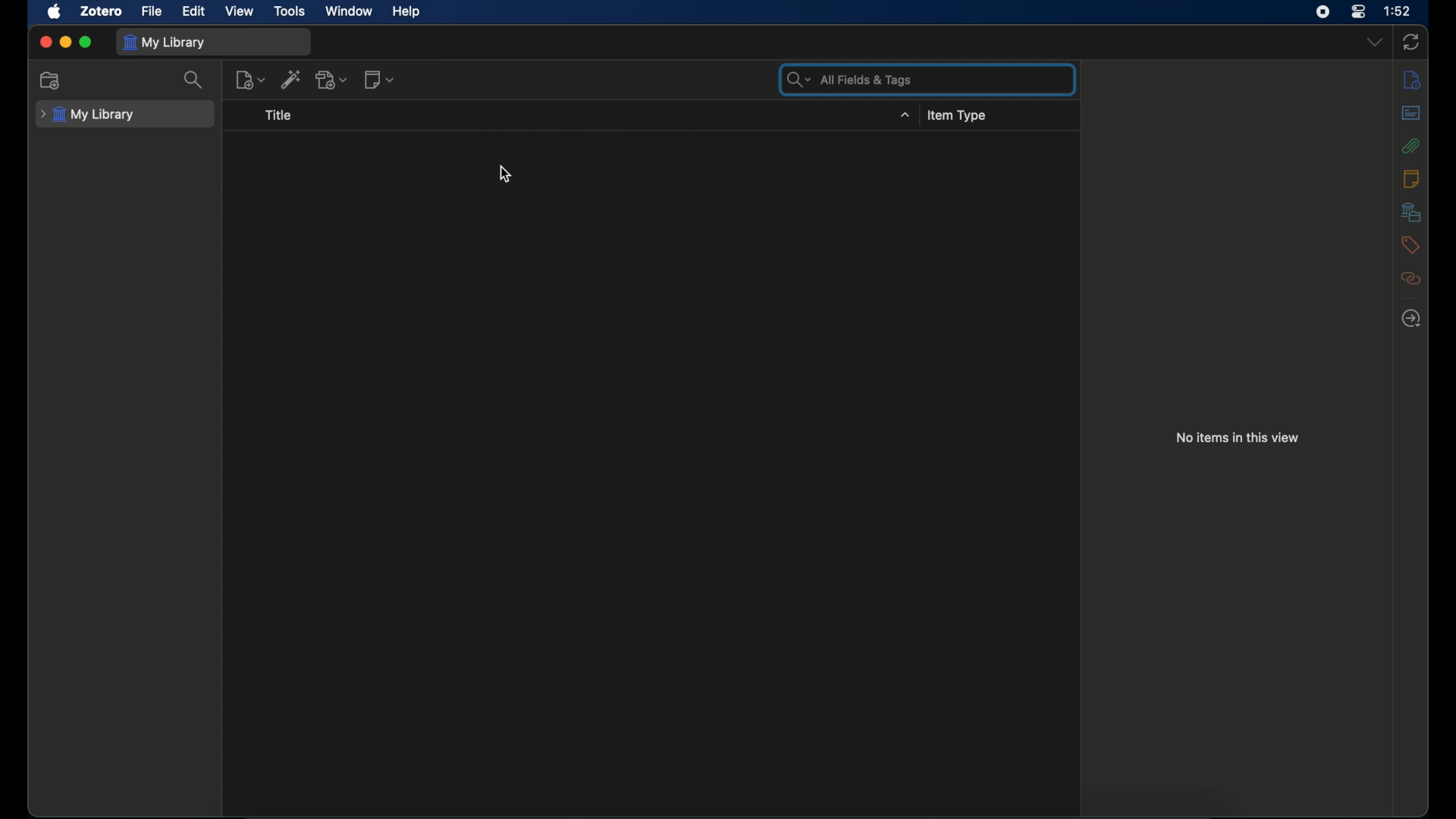 This screenshot has width=1456, height=819. What do you see at coordinates (505, 174) in the screenshot?
I see `cursor` at bounding box center [505, 174].